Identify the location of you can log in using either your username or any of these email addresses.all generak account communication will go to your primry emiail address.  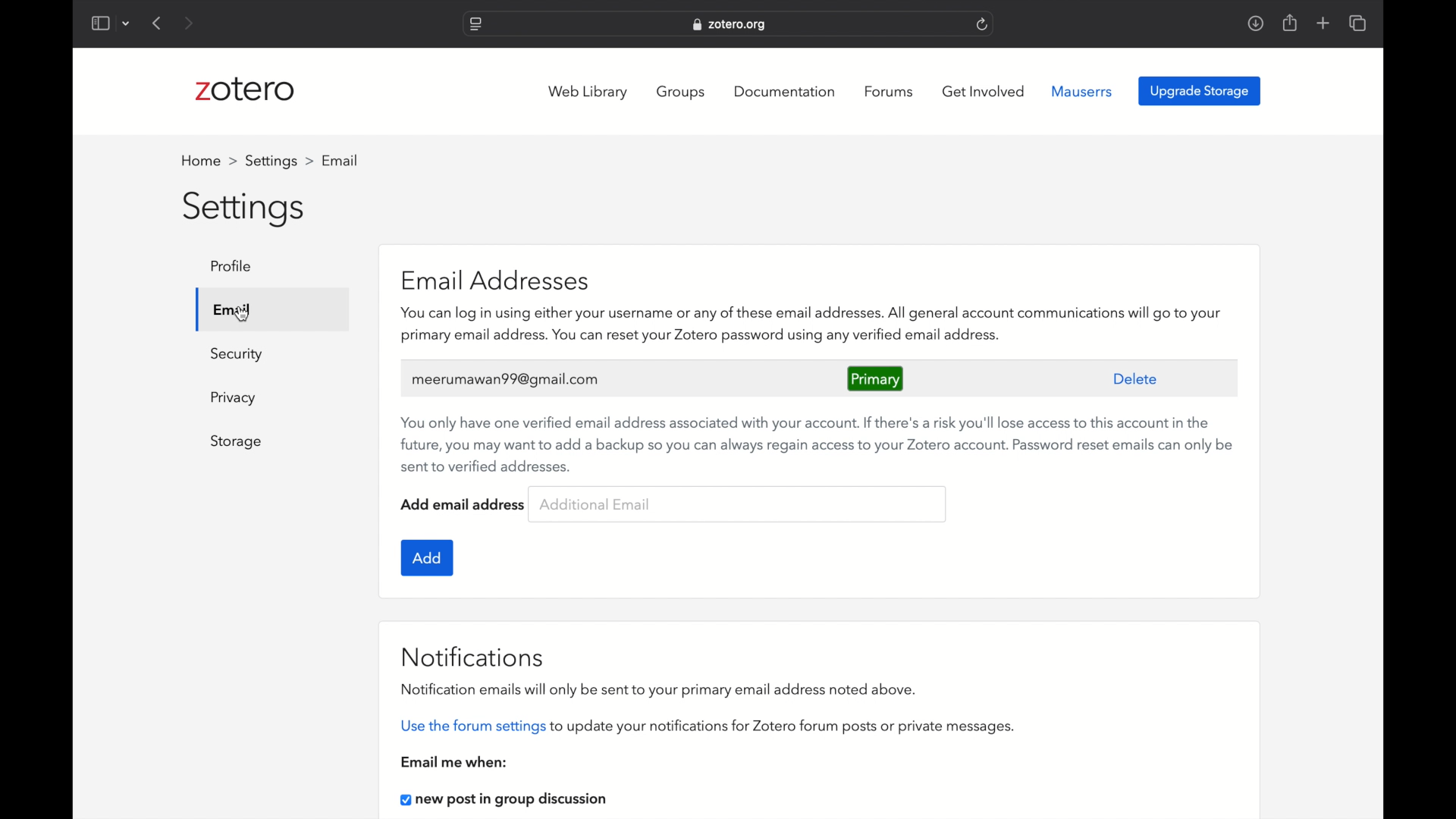
(814, 325).